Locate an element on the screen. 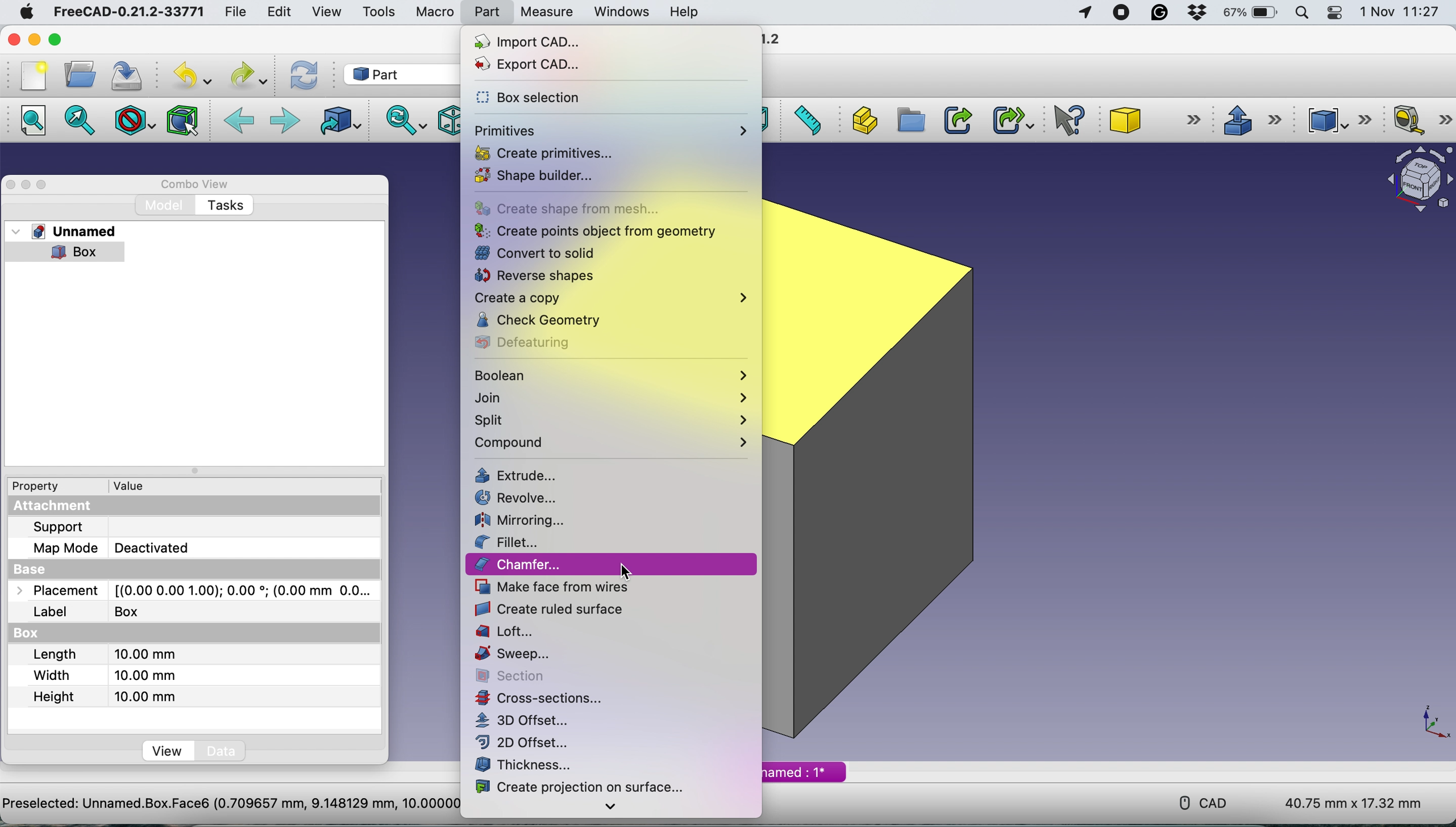 Image resolution: width=1456 pixels, height=827 pixels. value is located at coordinates (125, 487).